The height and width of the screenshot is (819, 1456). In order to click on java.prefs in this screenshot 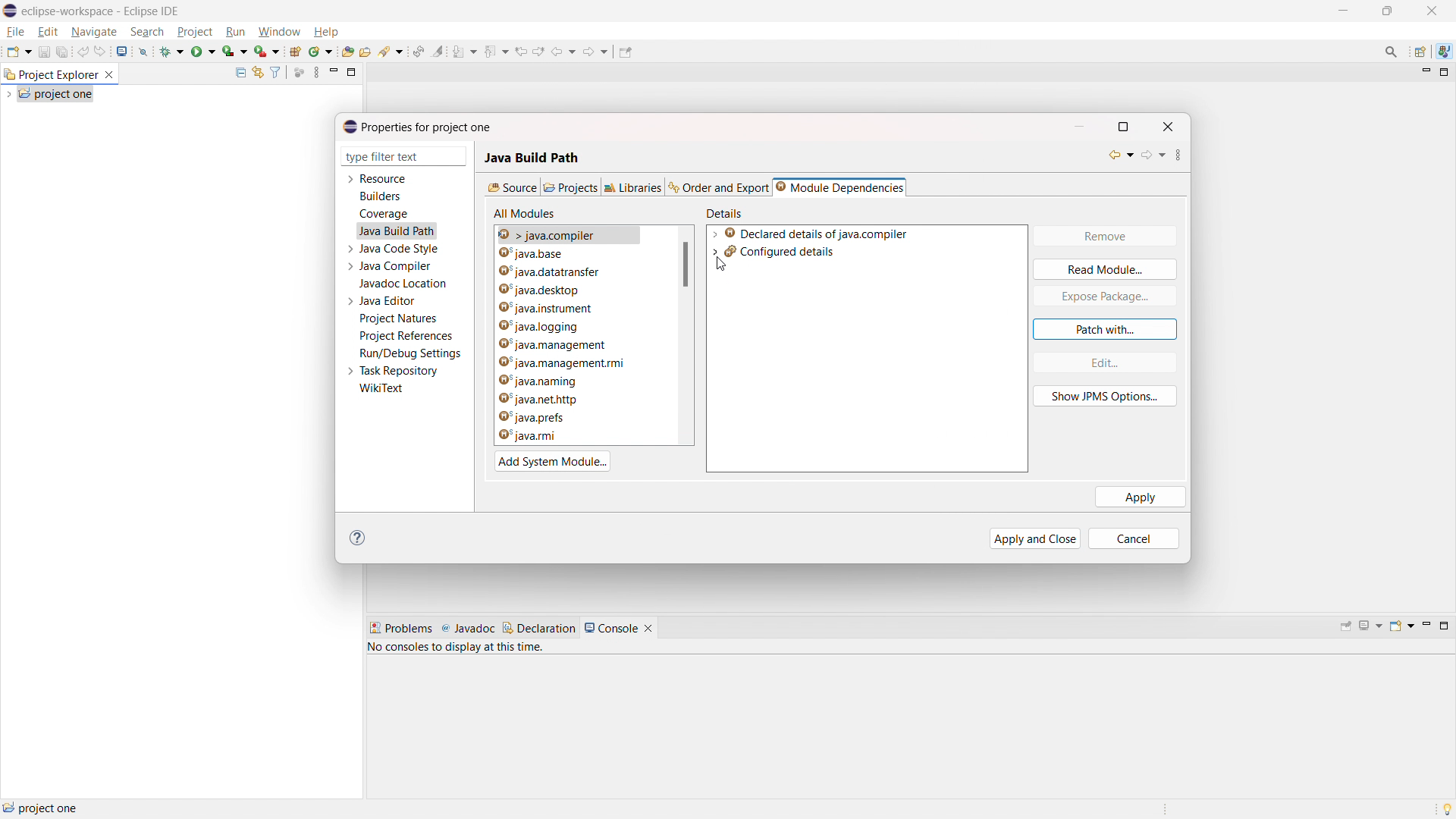, I will do `click(555, 418)`.